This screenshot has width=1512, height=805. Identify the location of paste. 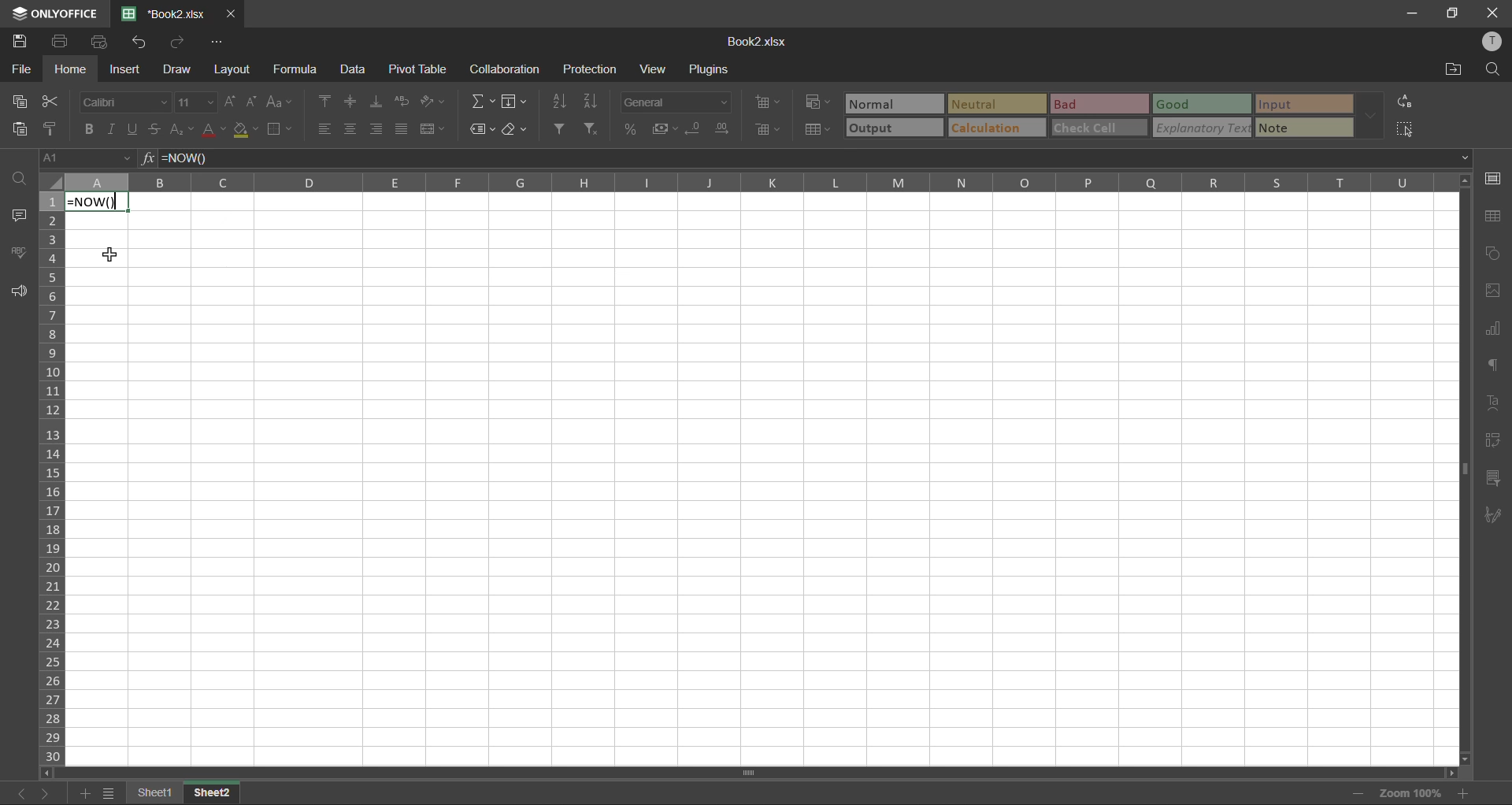
(24, 130).